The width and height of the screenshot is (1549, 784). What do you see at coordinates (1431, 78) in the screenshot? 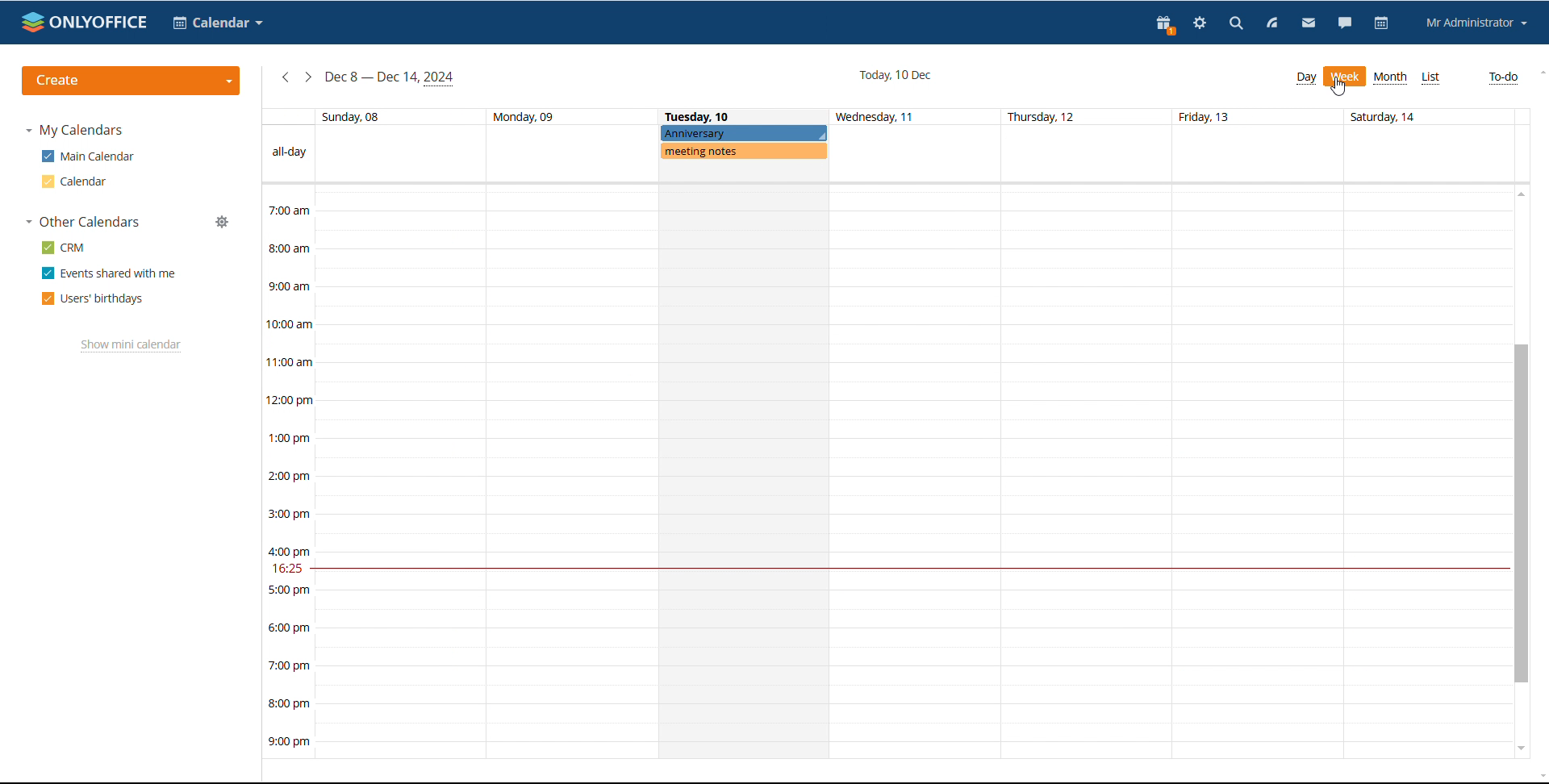
I see `list view` at bounding box center [1431, 78].